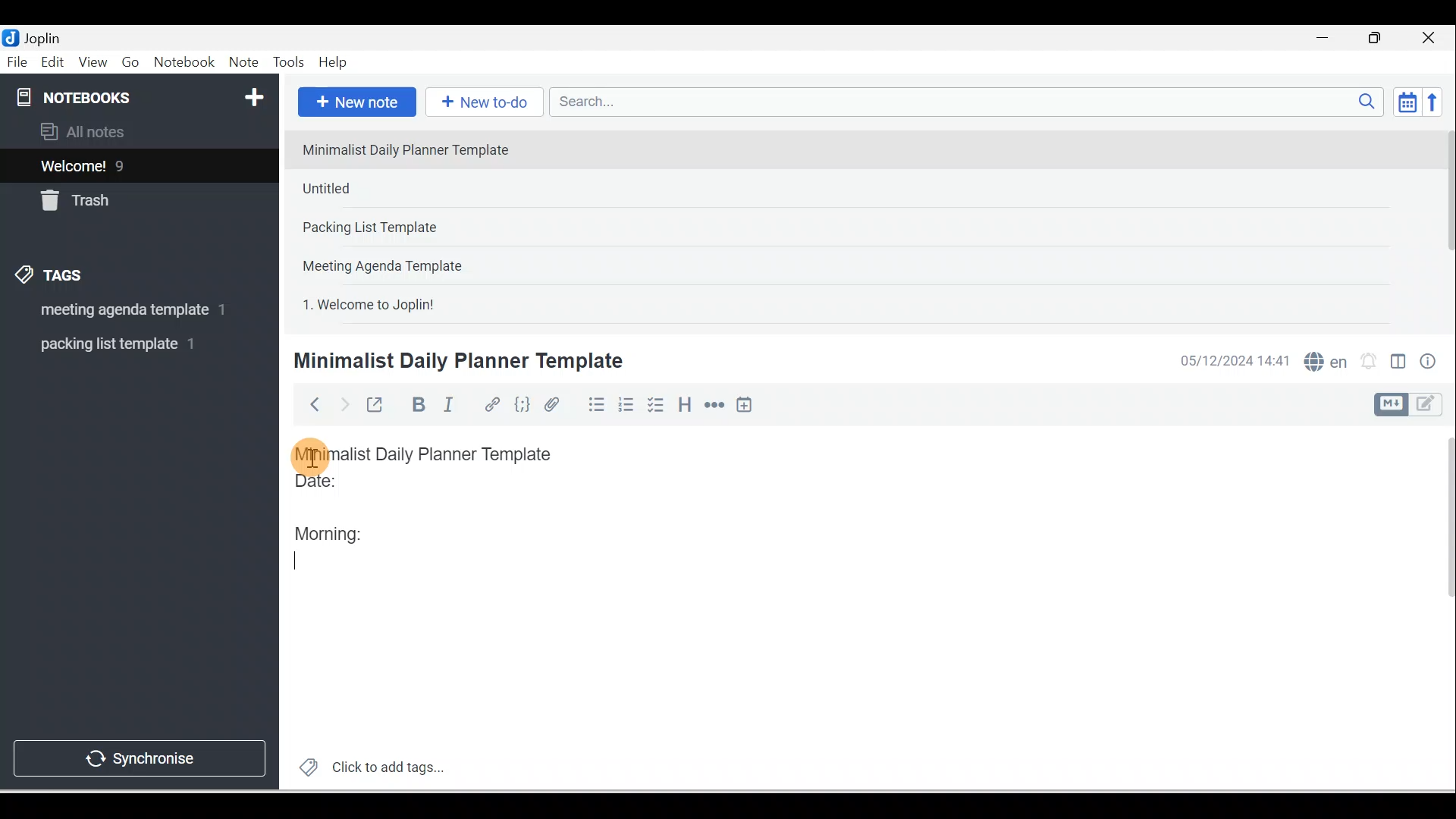 The height and width of the screenshot is (819, 1456). I want to click on Spelling, so click(1323, 359).